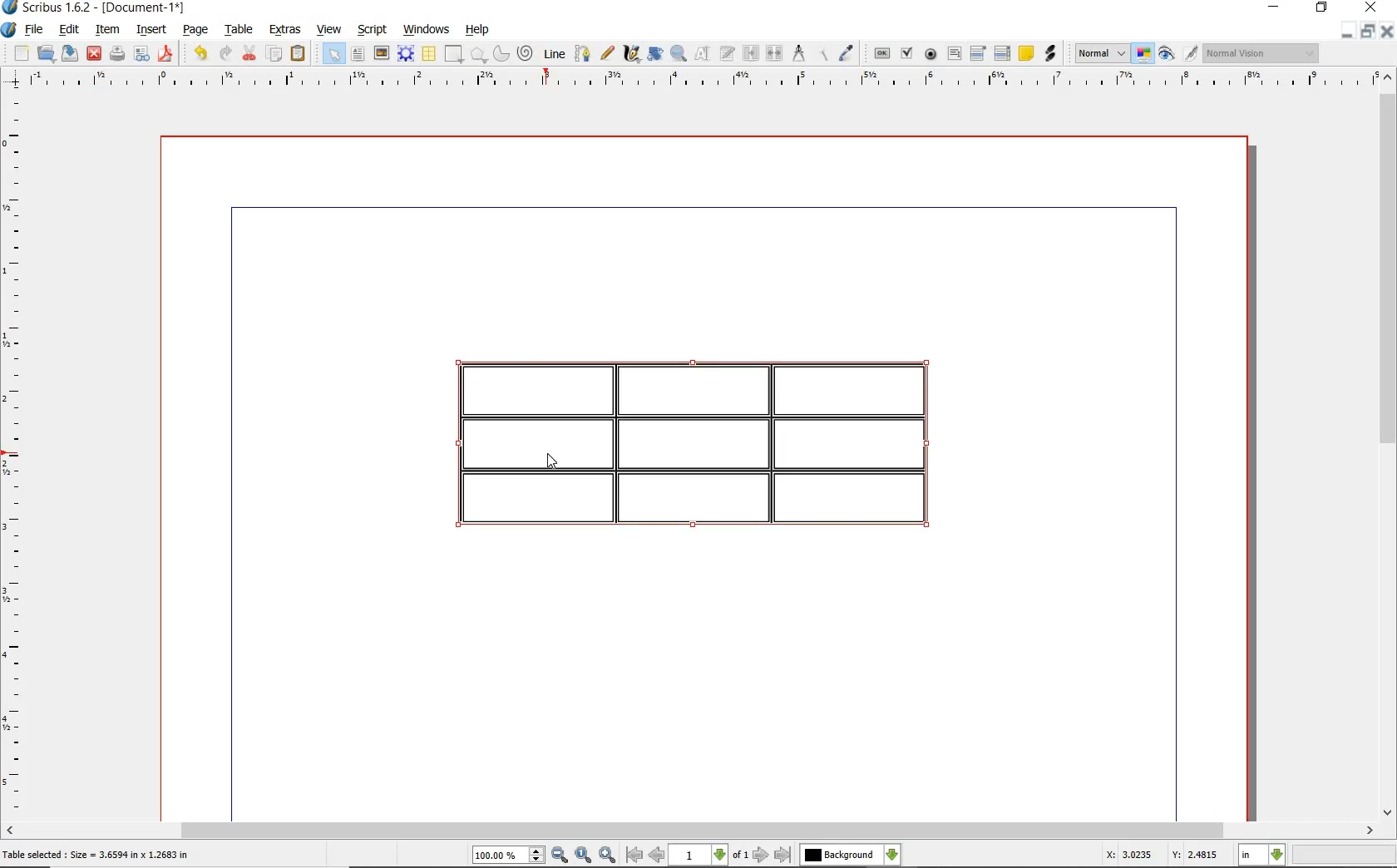 This screenshot has width=1397, height=868. I want to click on edit content of frame, so click(703, 54).